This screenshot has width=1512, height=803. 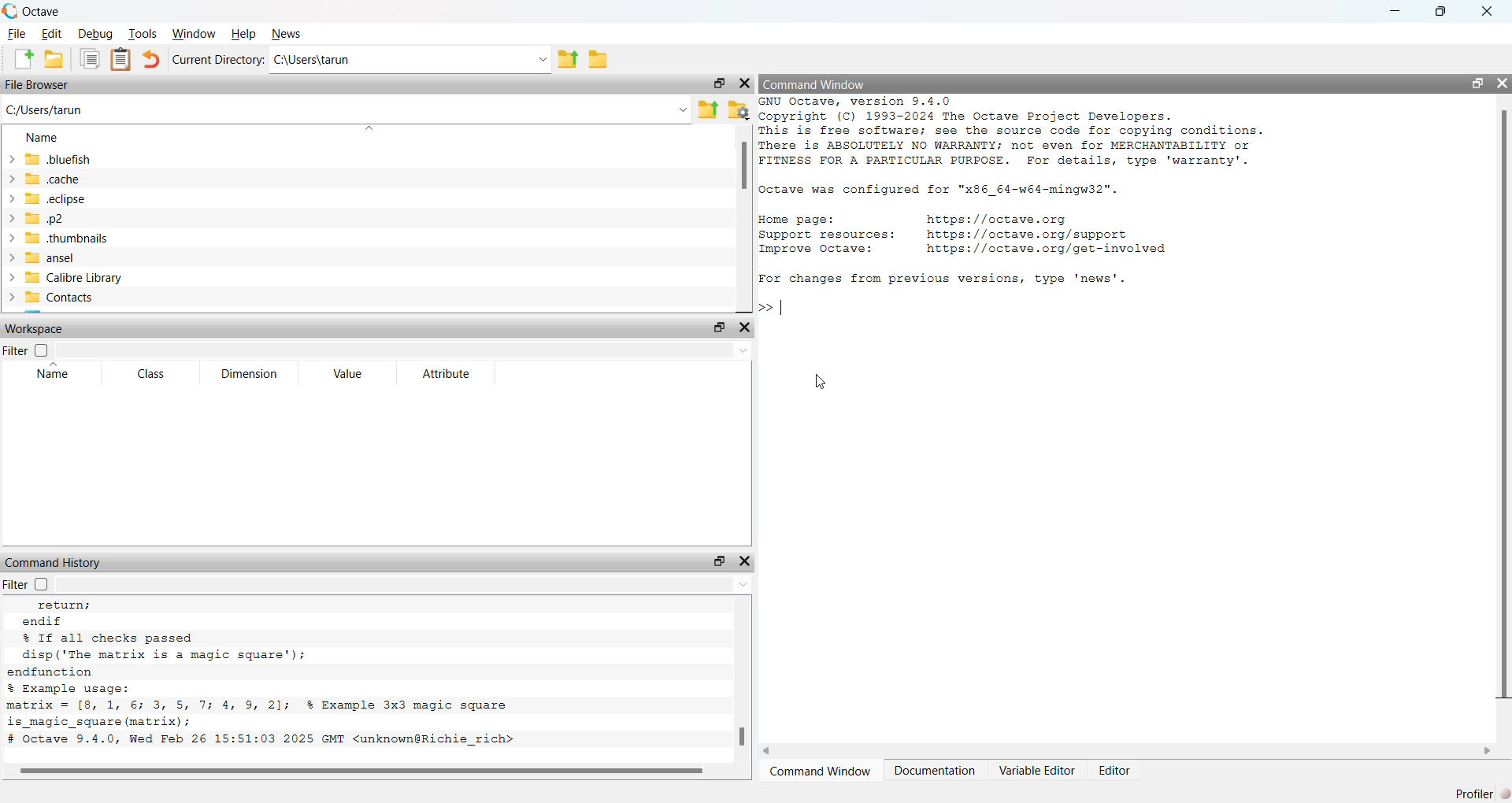 I want to click on Clipboard, so click(x=120, y=61).